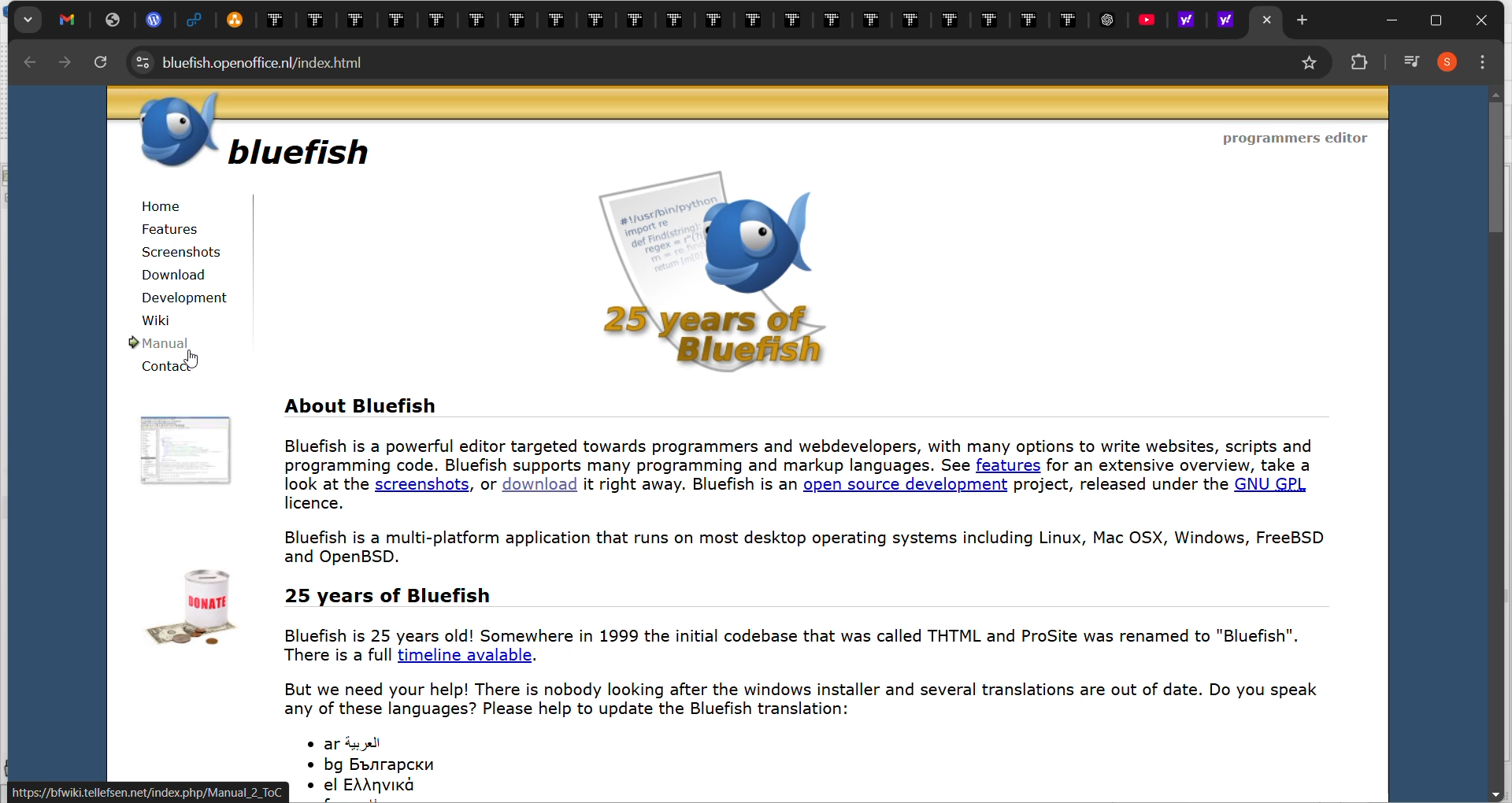 The height and width of the screenshot is (803, 1512). I want to click on minimize, so click(1392, 20).